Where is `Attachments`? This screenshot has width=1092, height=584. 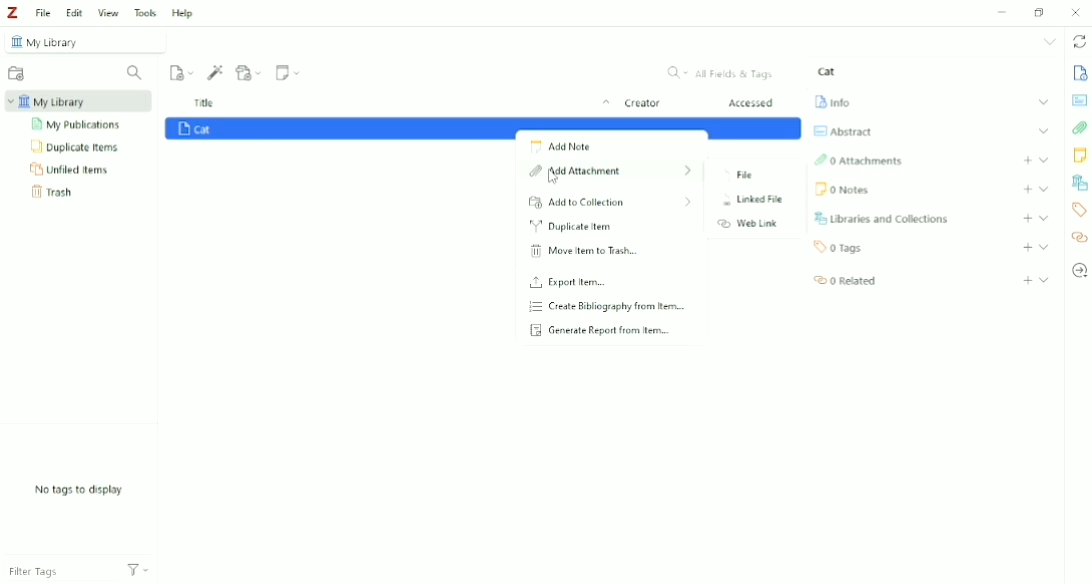 Attachments is located at coordinates (1080, 129).